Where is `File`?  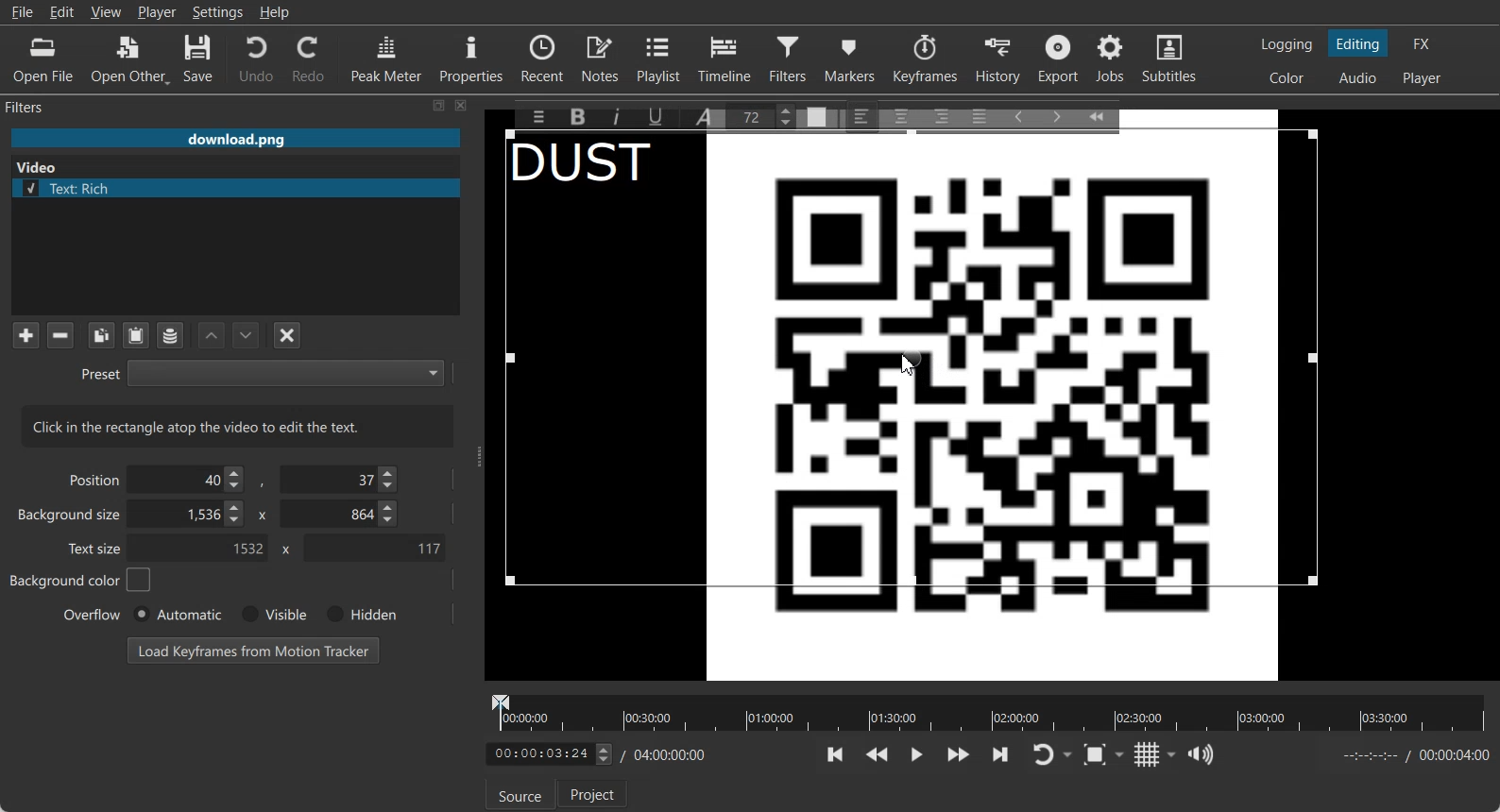 File is located at coordinates (235, 140).